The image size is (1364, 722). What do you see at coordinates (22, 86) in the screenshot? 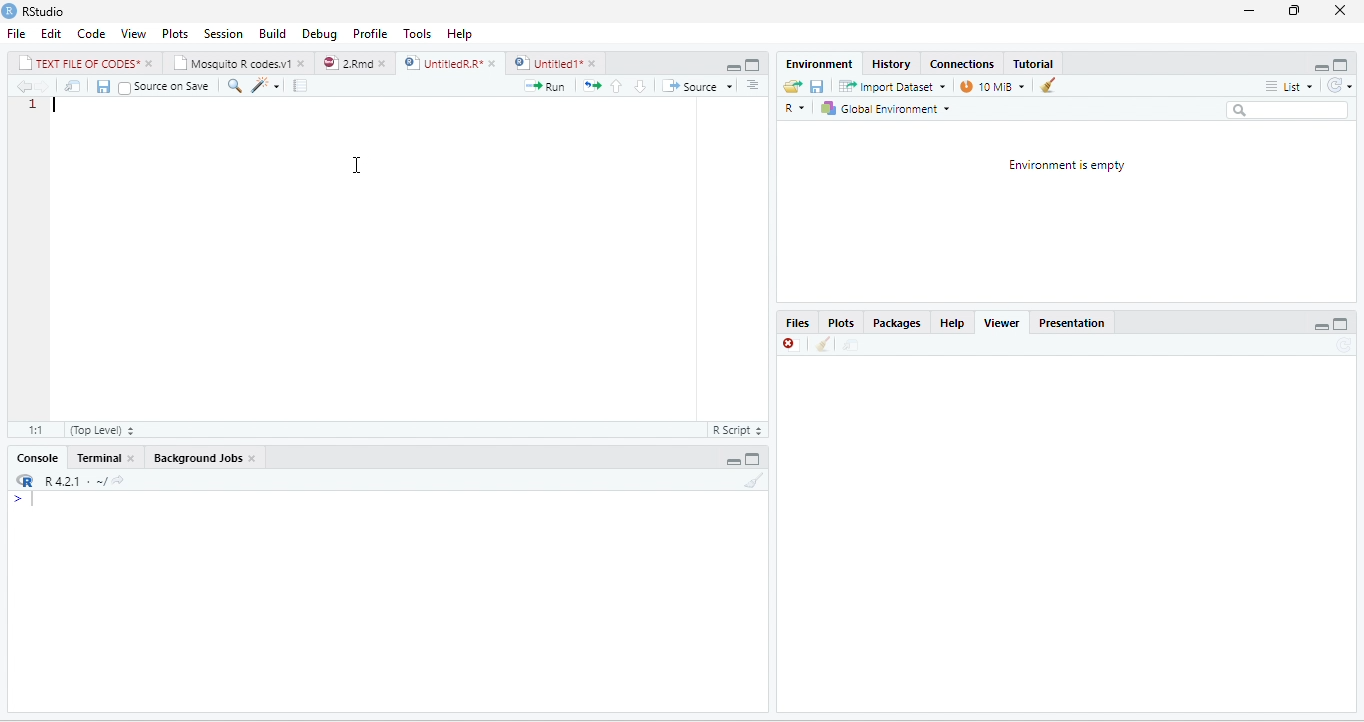
I see `previous ` at bounding box center [22, 86].